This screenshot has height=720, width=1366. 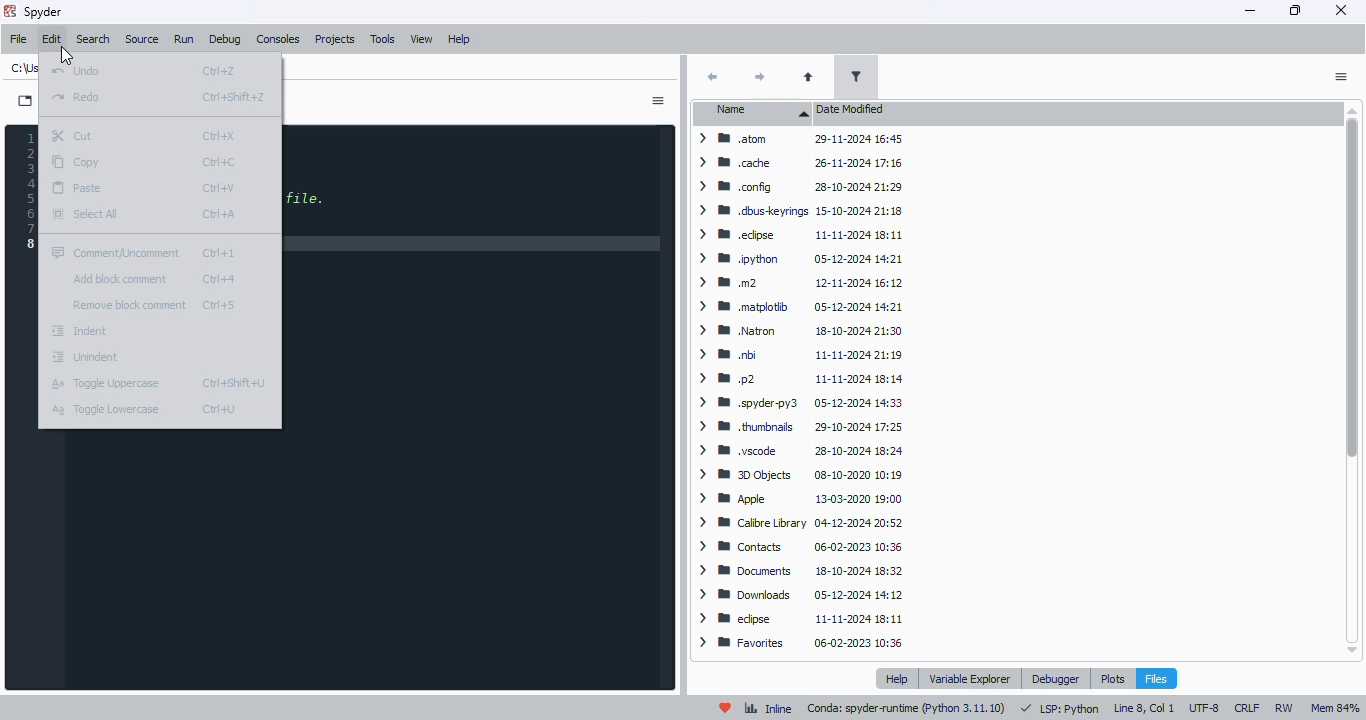 I want to click on options, so click(x=657, y=101).